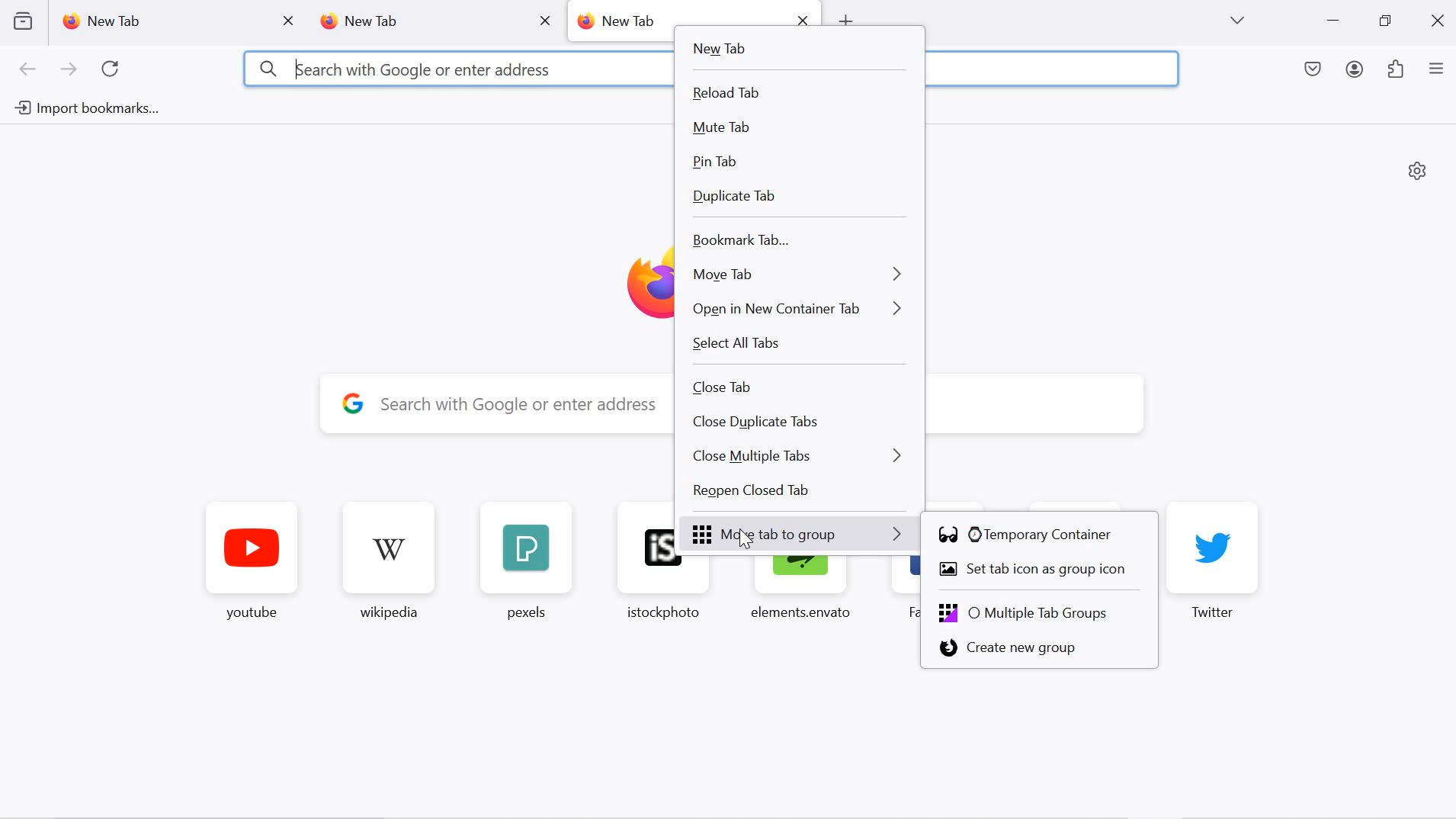  Describe the element at coordinates (845, 18) in the screenshot. I see `open new tab` at that location.